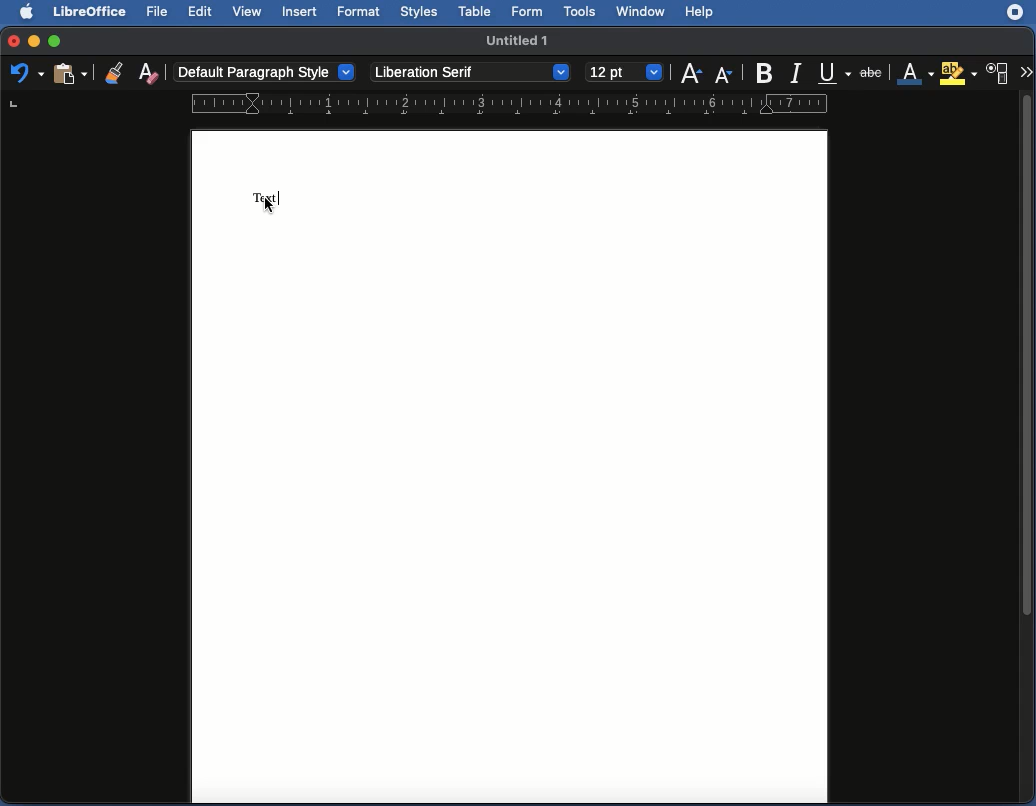 This screenshot has width=1036, height=806. Describe the element at coordinates (836, 73) in the screenshot. I see `Underline` at that location.